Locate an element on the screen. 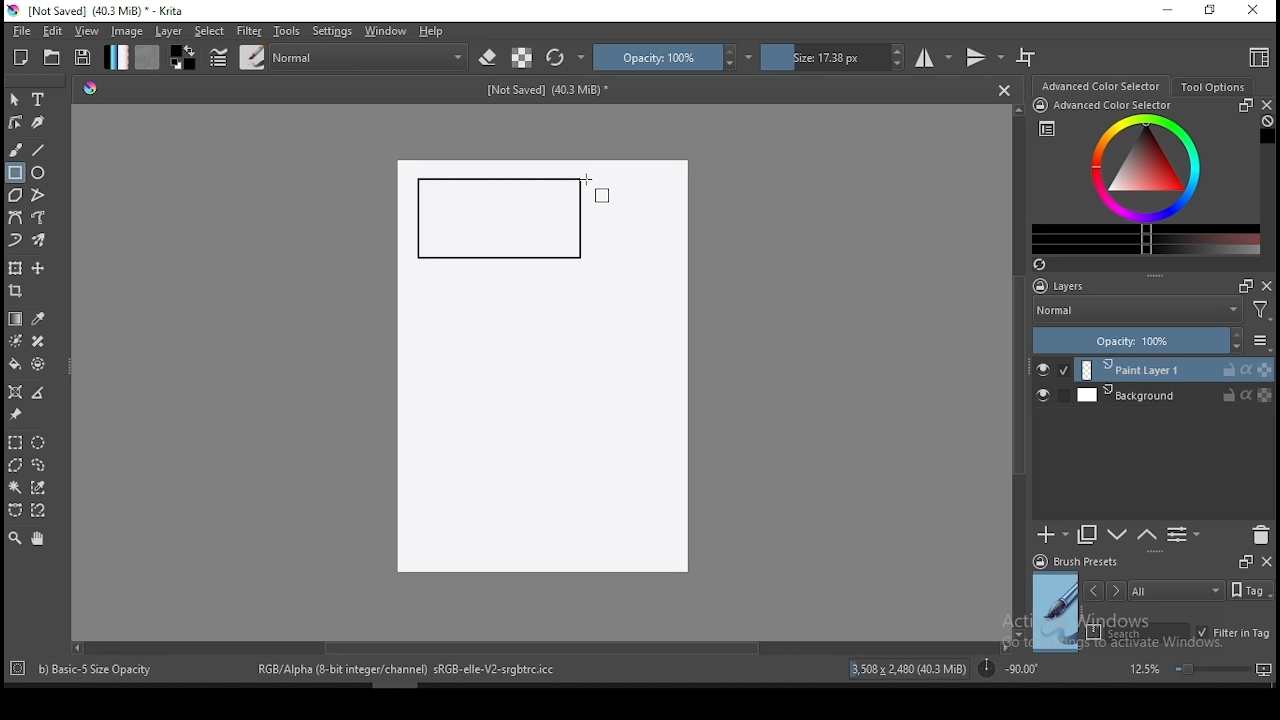 Image resolution: width=1280 pixels, height=720 pixels. opacity is located at coordinates (673, 57).